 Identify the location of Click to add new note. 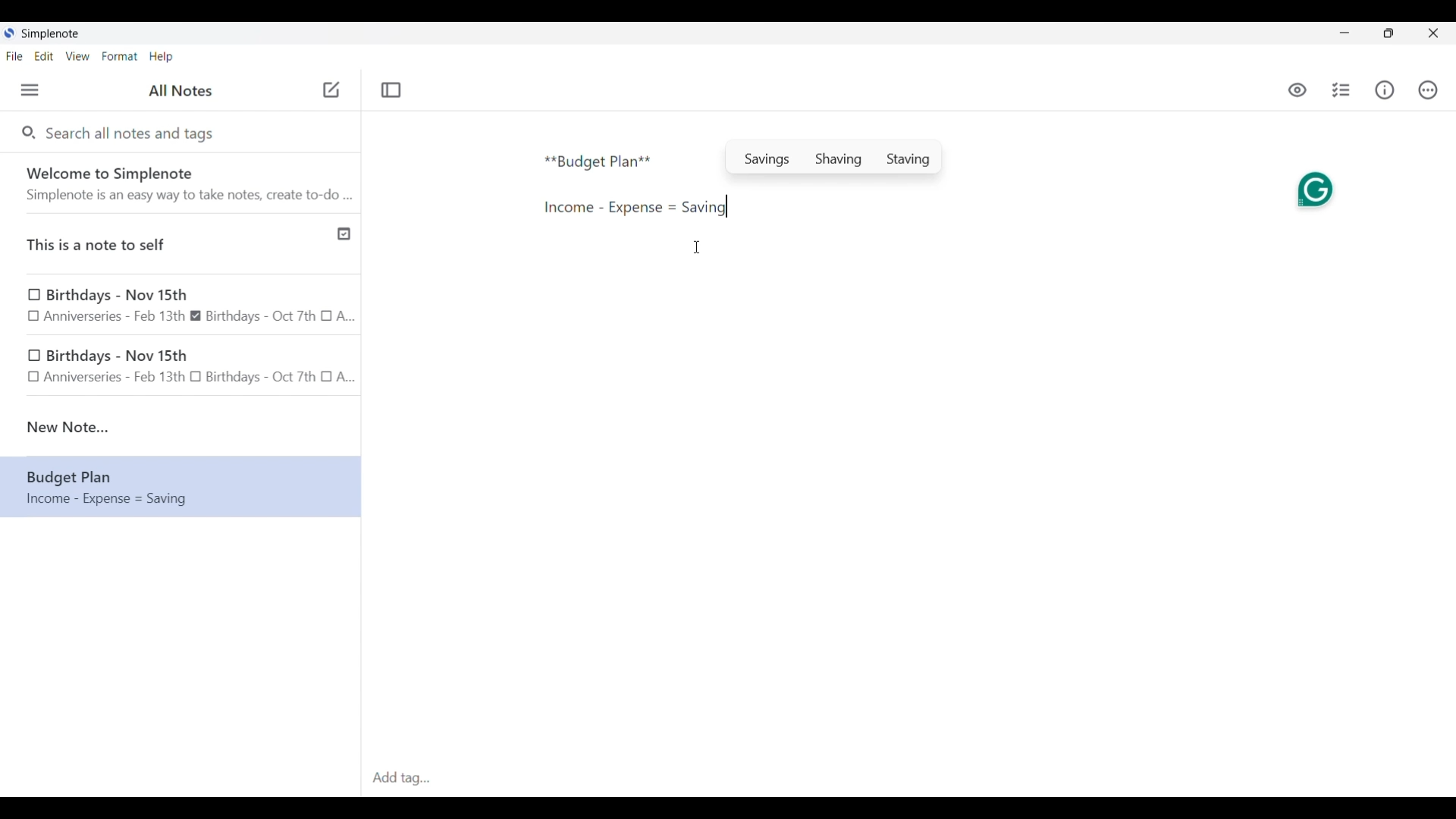
(331, 89).